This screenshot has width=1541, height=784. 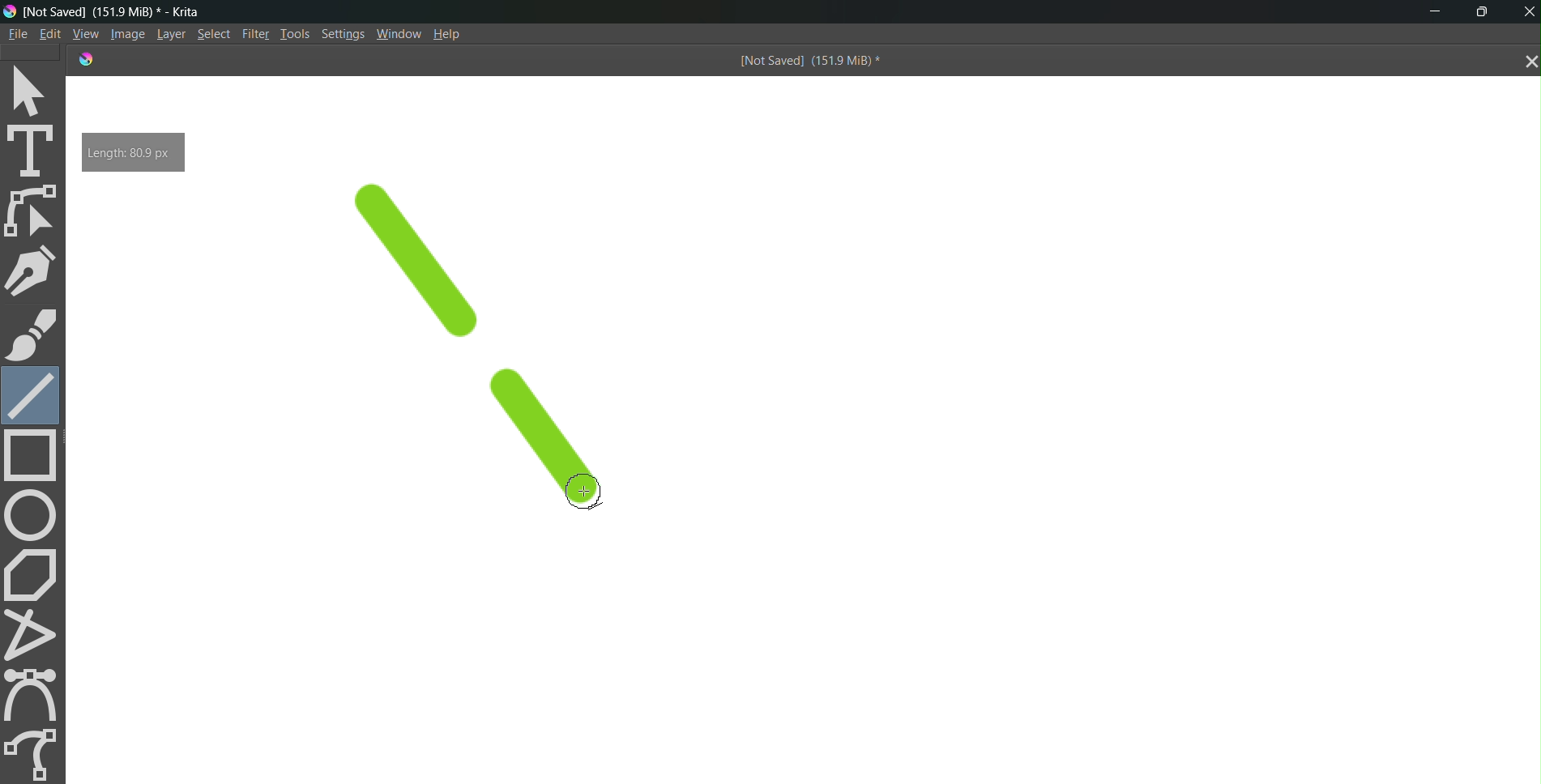 I want to click on curve tool, so click(x=36, y=694).